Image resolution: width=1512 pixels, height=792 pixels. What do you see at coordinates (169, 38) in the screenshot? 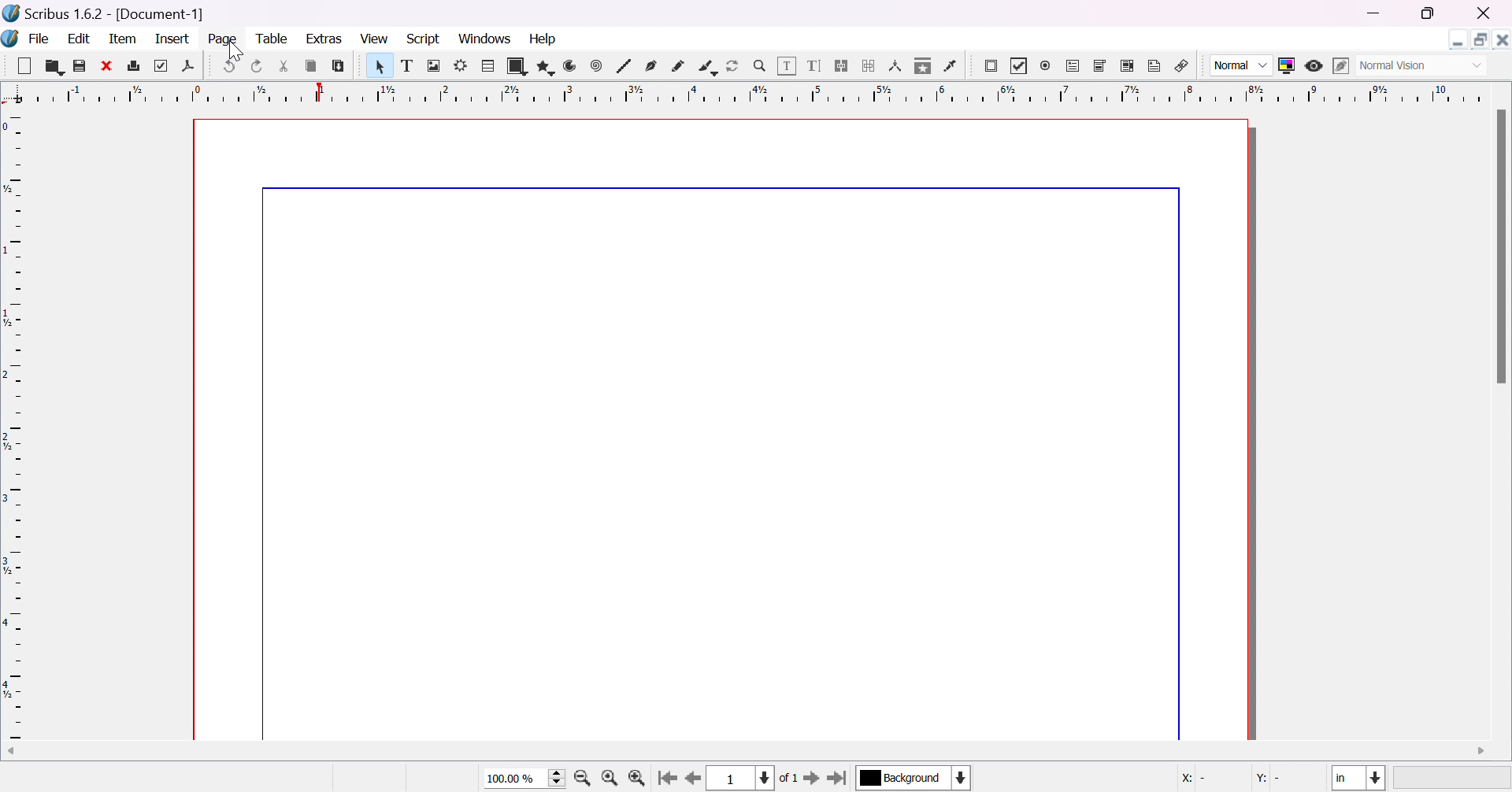
I see `insert` at bounding box center [169, 38].